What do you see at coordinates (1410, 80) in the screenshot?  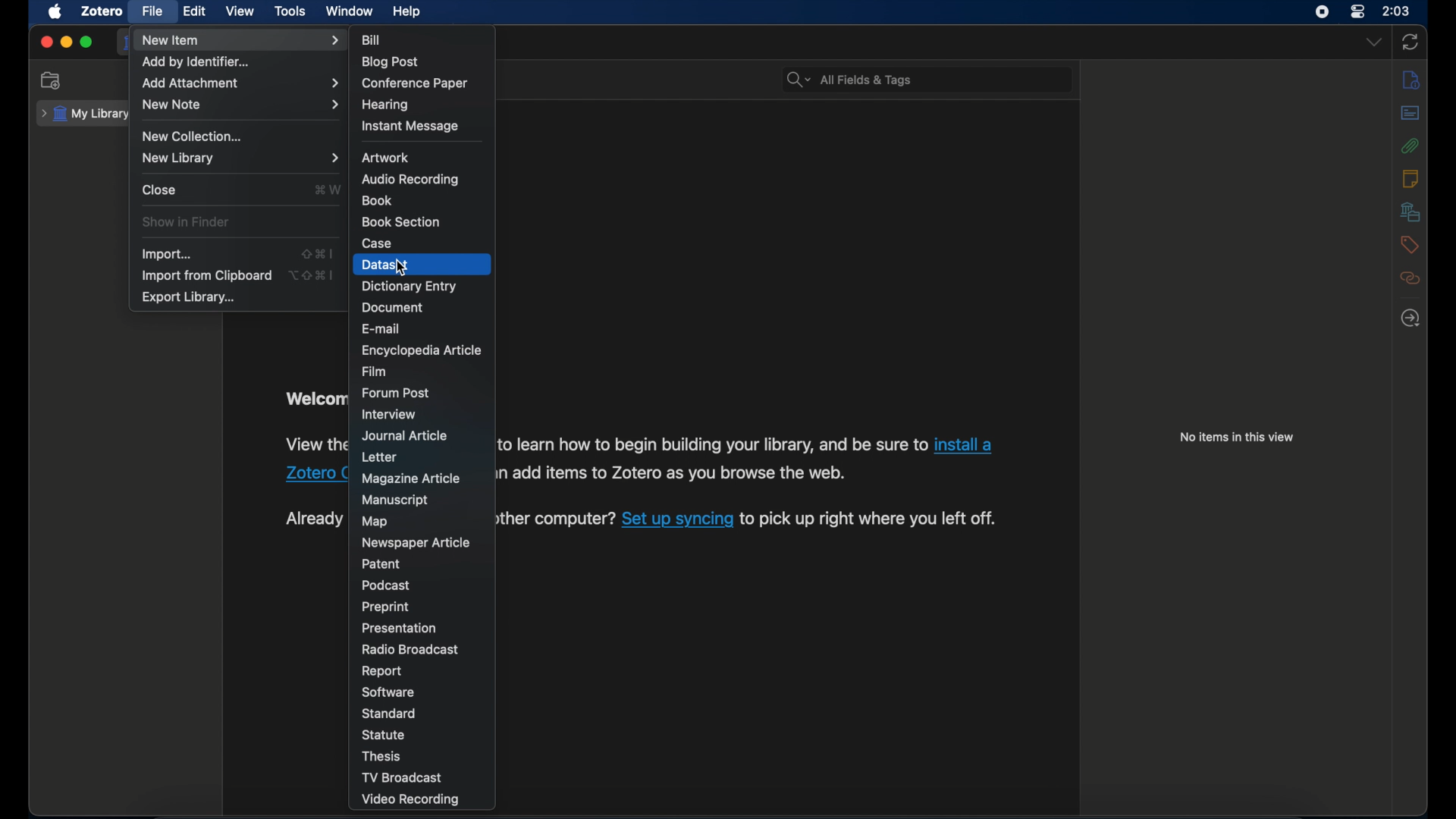 I see `info` at bounding box center [1410, 80].